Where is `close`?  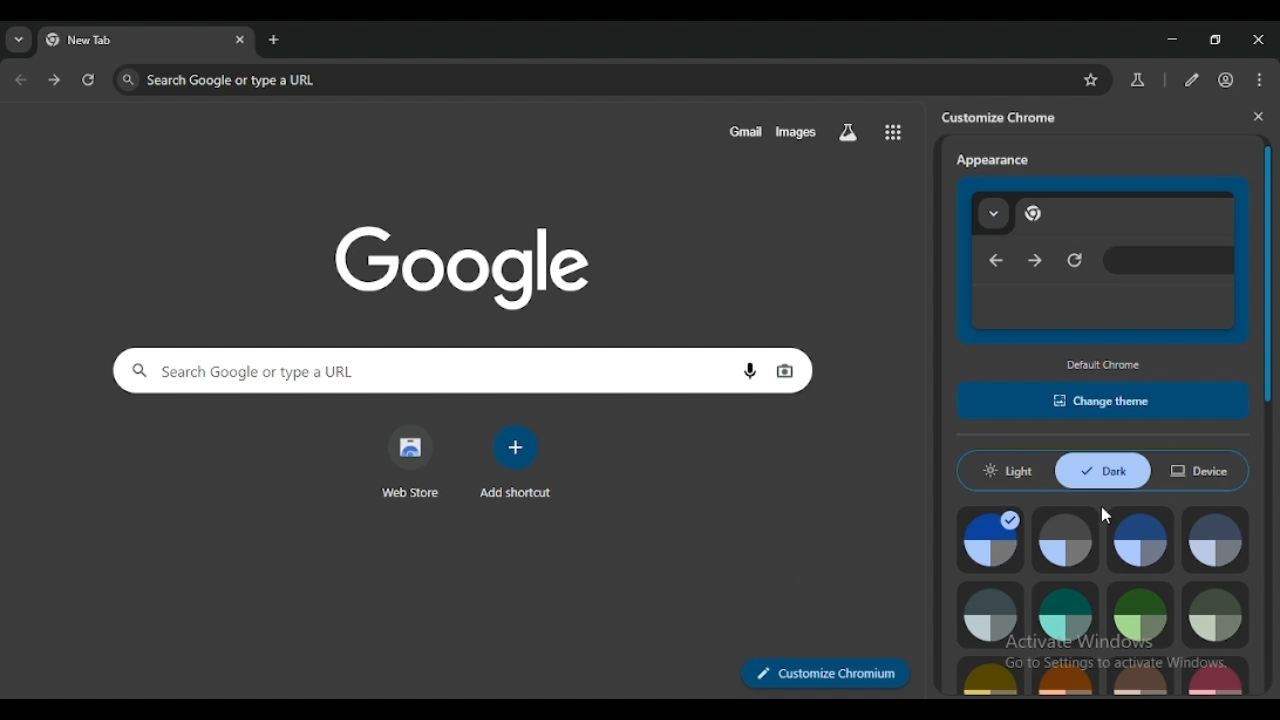 close is located at coordinates (1257, 40).